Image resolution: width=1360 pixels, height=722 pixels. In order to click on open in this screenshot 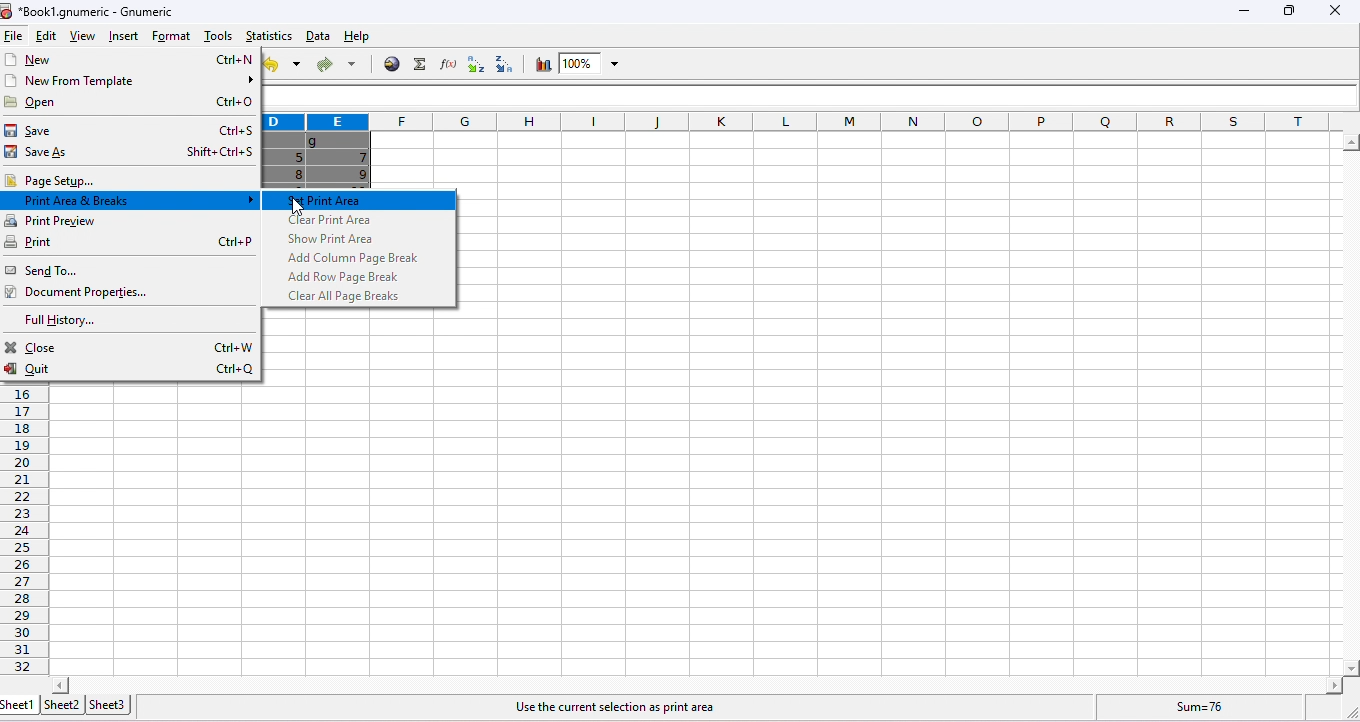, I will do `click(132, 102)`.